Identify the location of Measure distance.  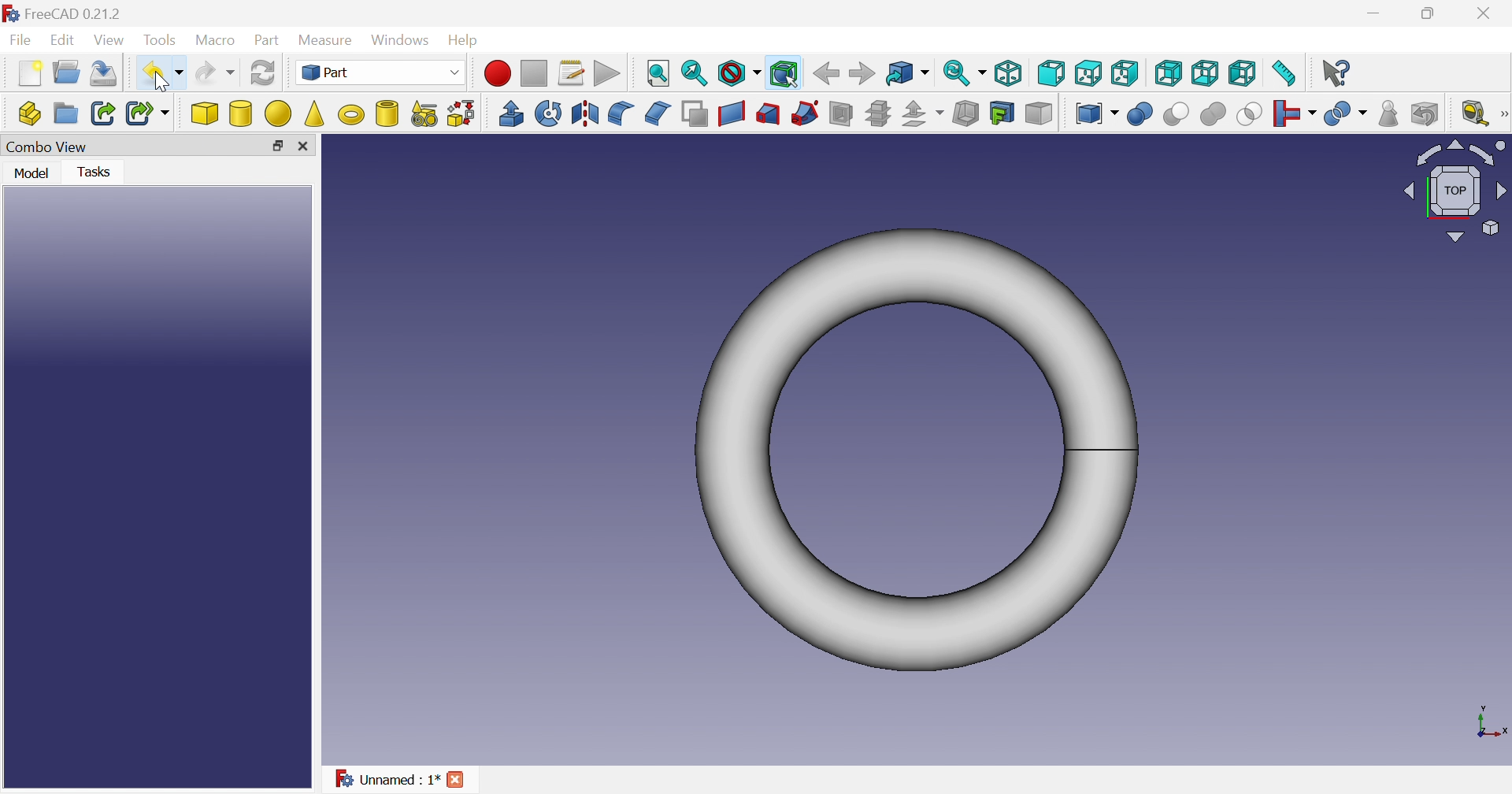
(1283, 73).